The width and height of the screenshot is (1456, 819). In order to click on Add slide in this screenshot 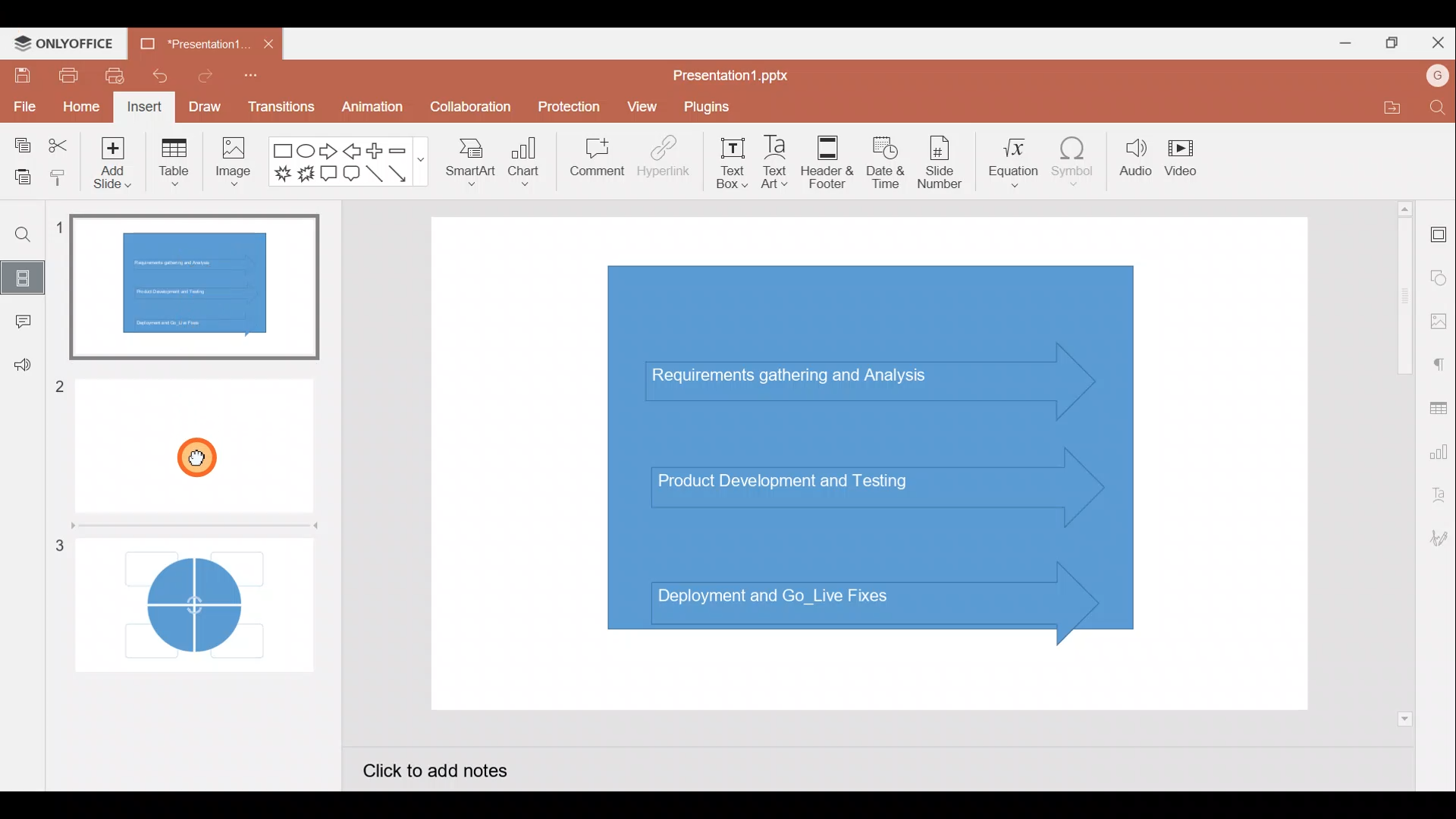, I will do `click(109, 165)`.